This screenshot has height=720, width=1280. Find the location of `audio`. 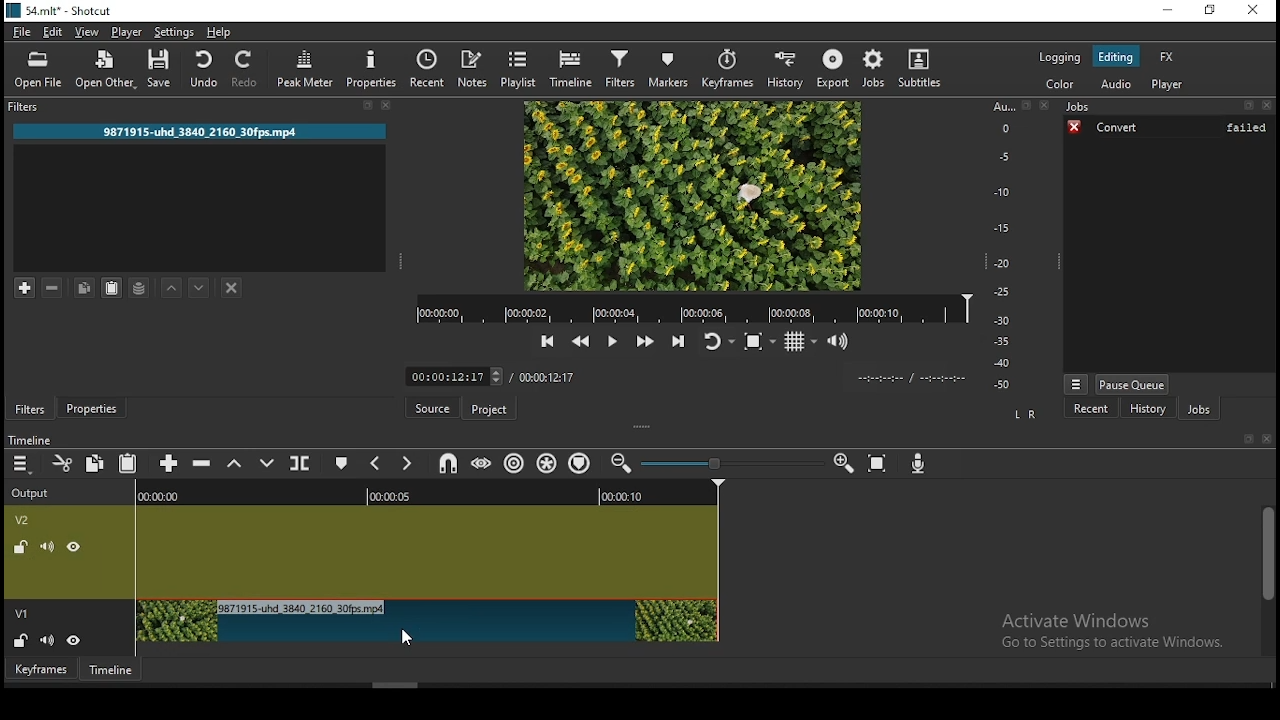

audio is located at coordinates (1117, 85).